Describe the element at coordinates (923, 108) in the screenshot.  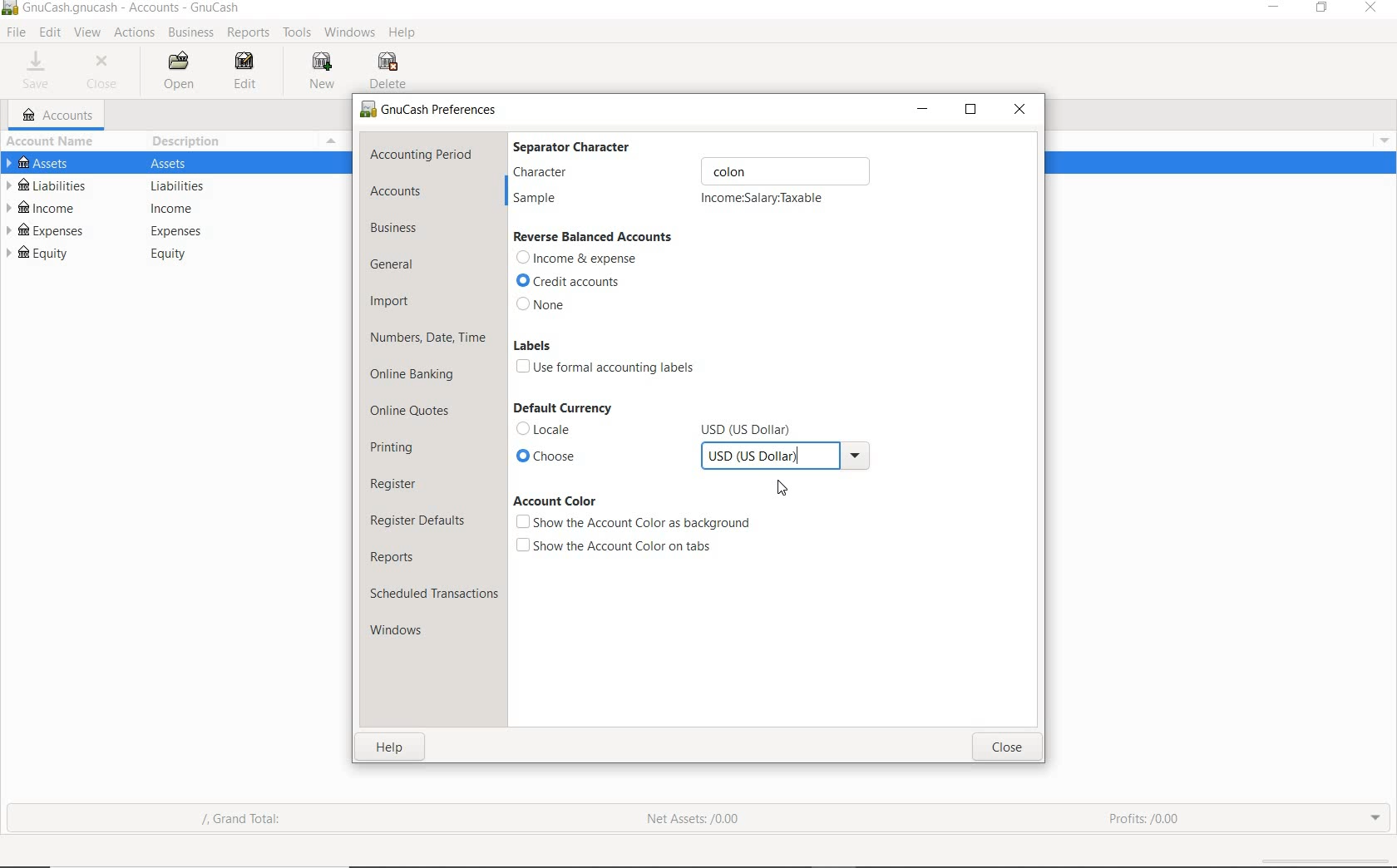
I see `minimize` at that location.